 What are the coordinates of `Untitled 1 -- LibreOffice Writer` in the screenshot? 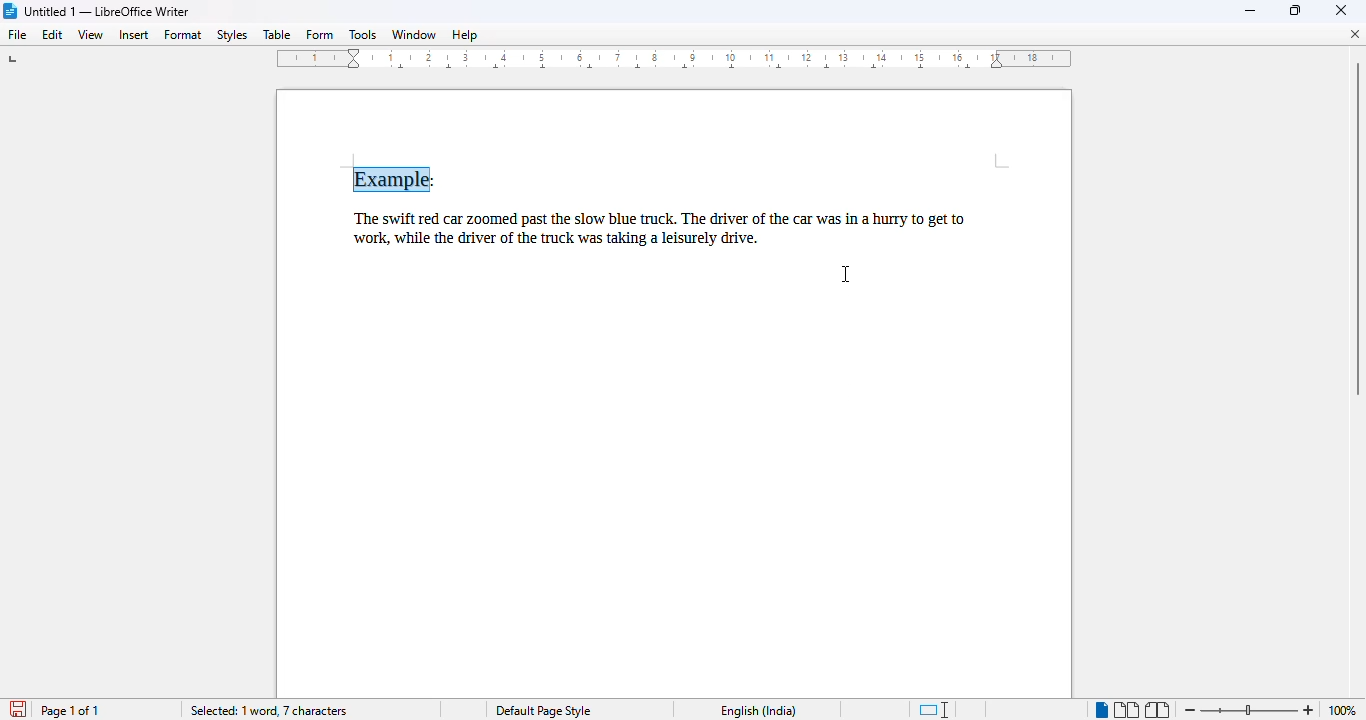 It's located at (109, 11).